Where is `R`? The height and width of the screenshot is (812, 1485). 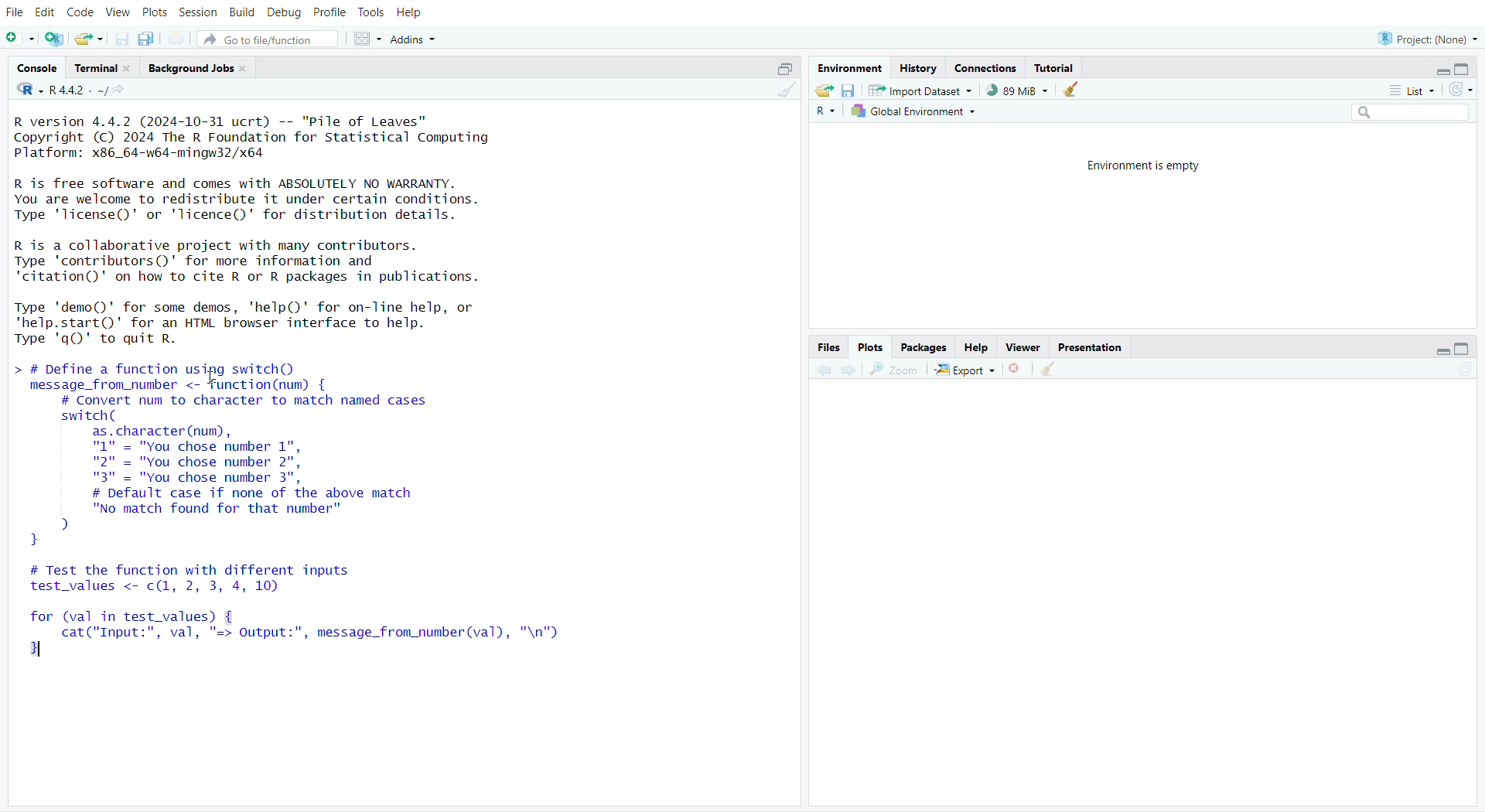 R is located at coordinates (26, 90).